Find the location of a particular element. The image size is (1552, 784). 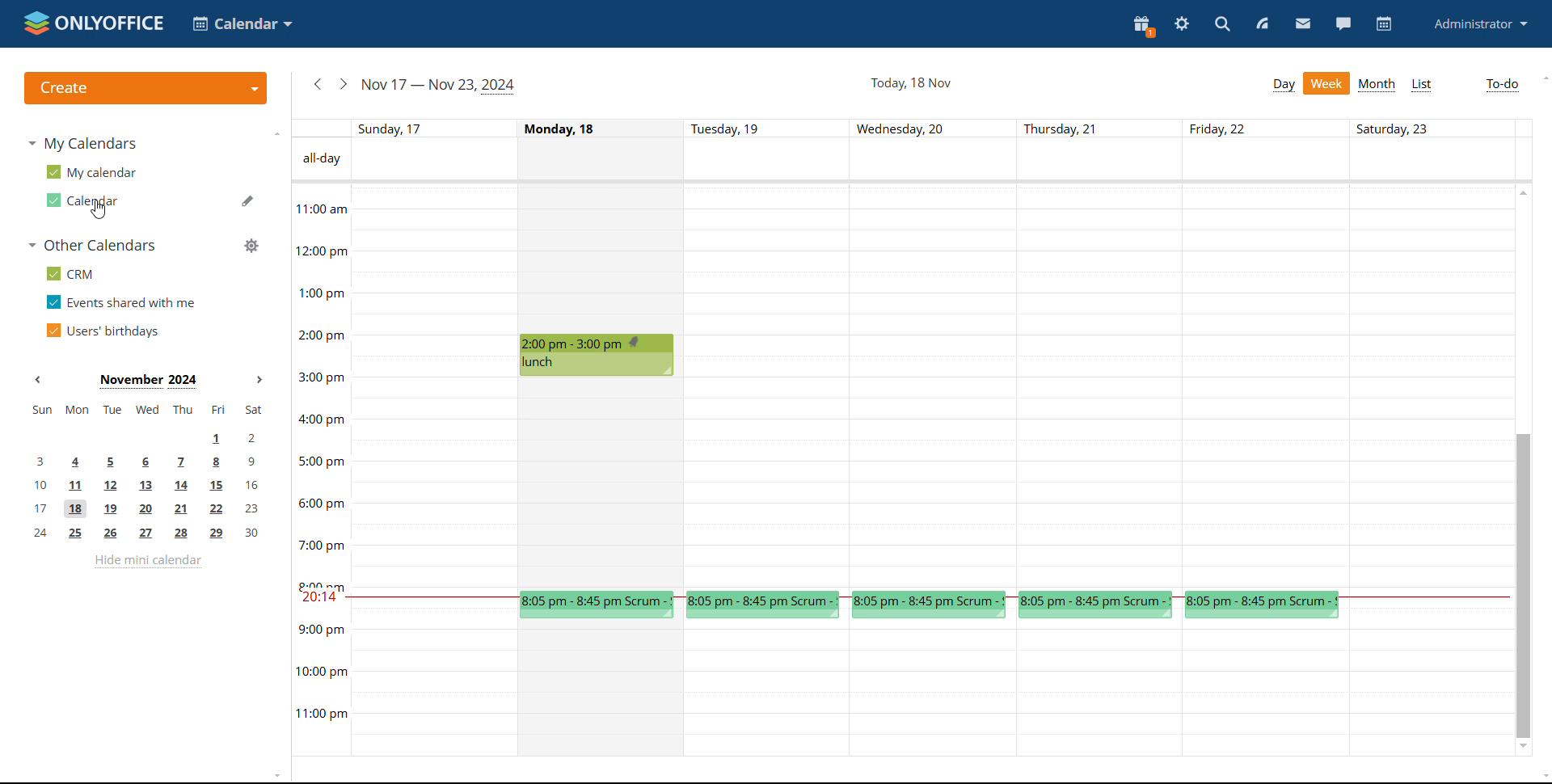

manage is located at coordinates (251, 245).